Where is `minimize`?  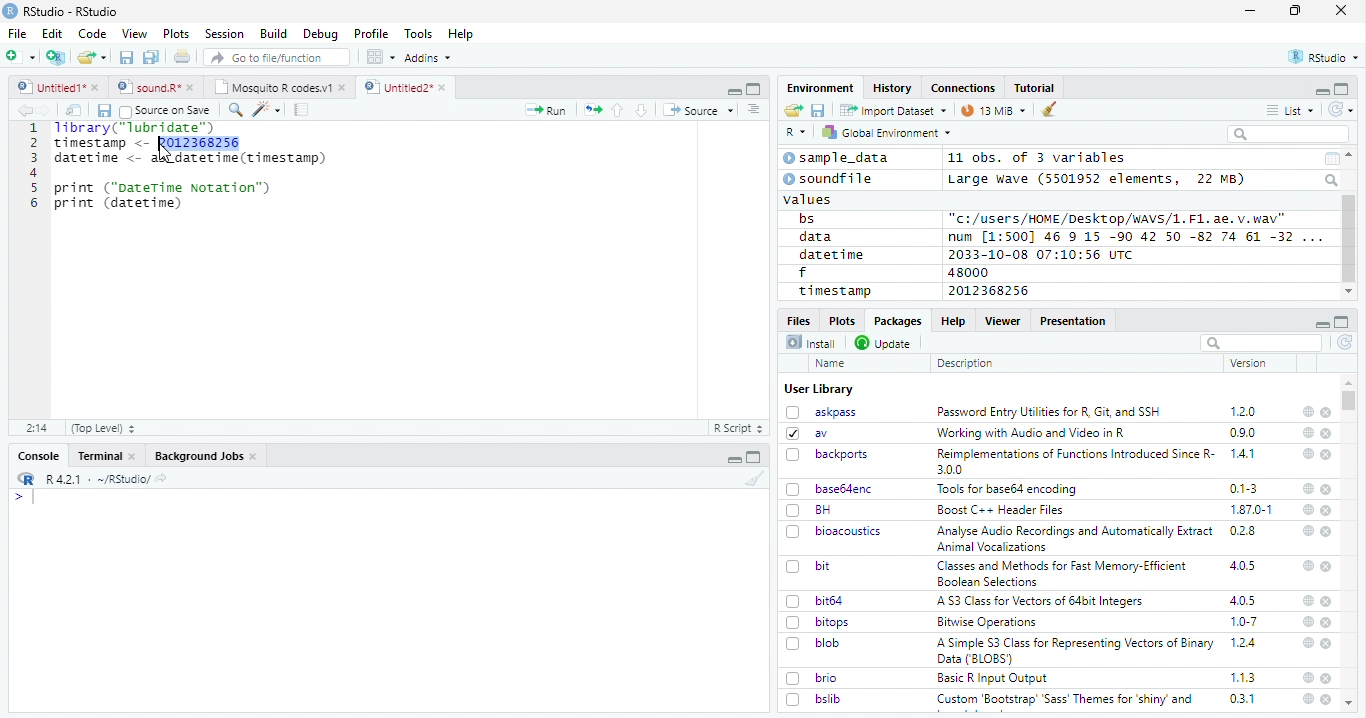 minimize is located at coordinates (1253, 11).